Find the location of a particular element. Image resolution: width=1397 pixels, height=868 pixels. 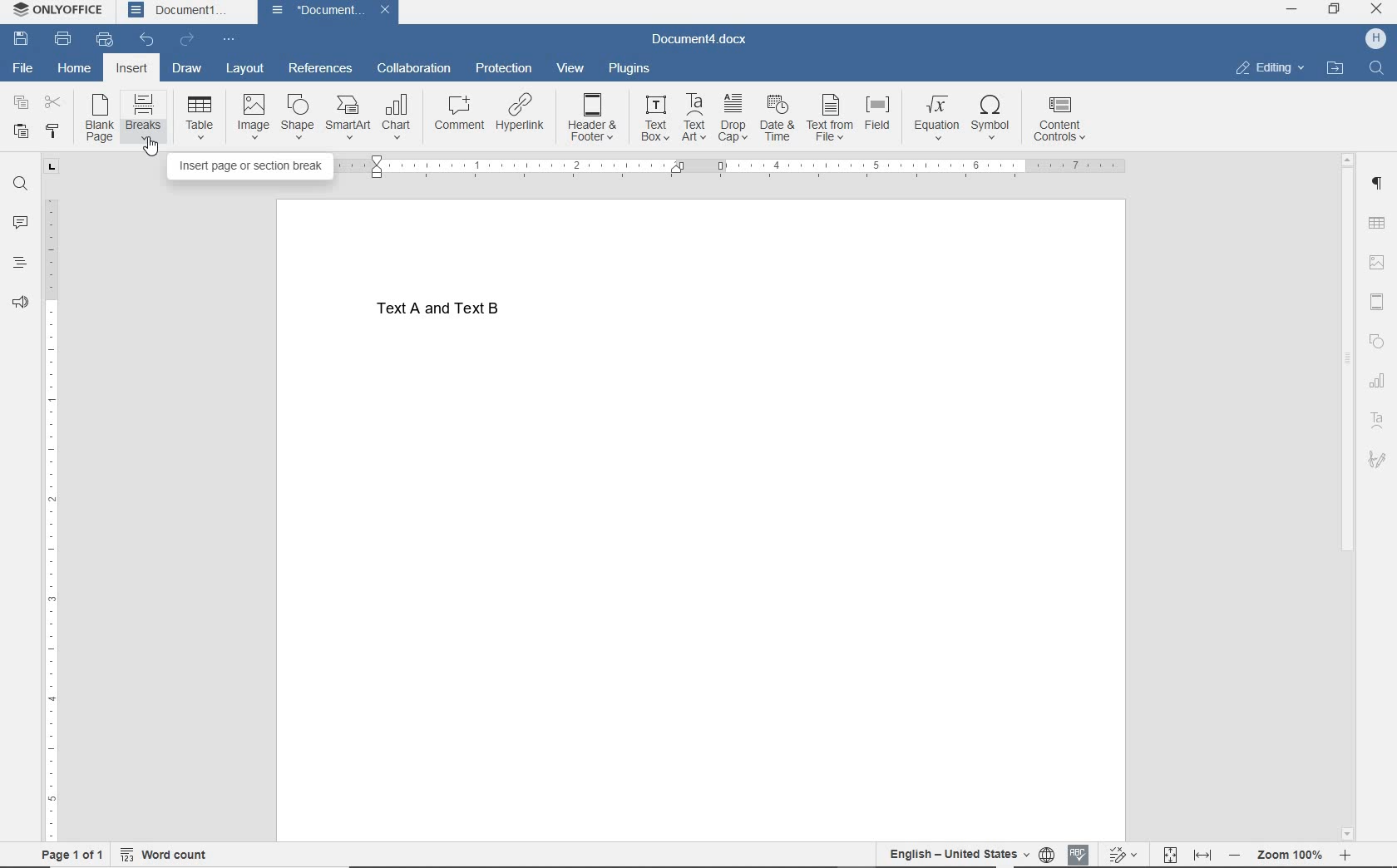

HEADINGS is located at coordinates (20, 260).